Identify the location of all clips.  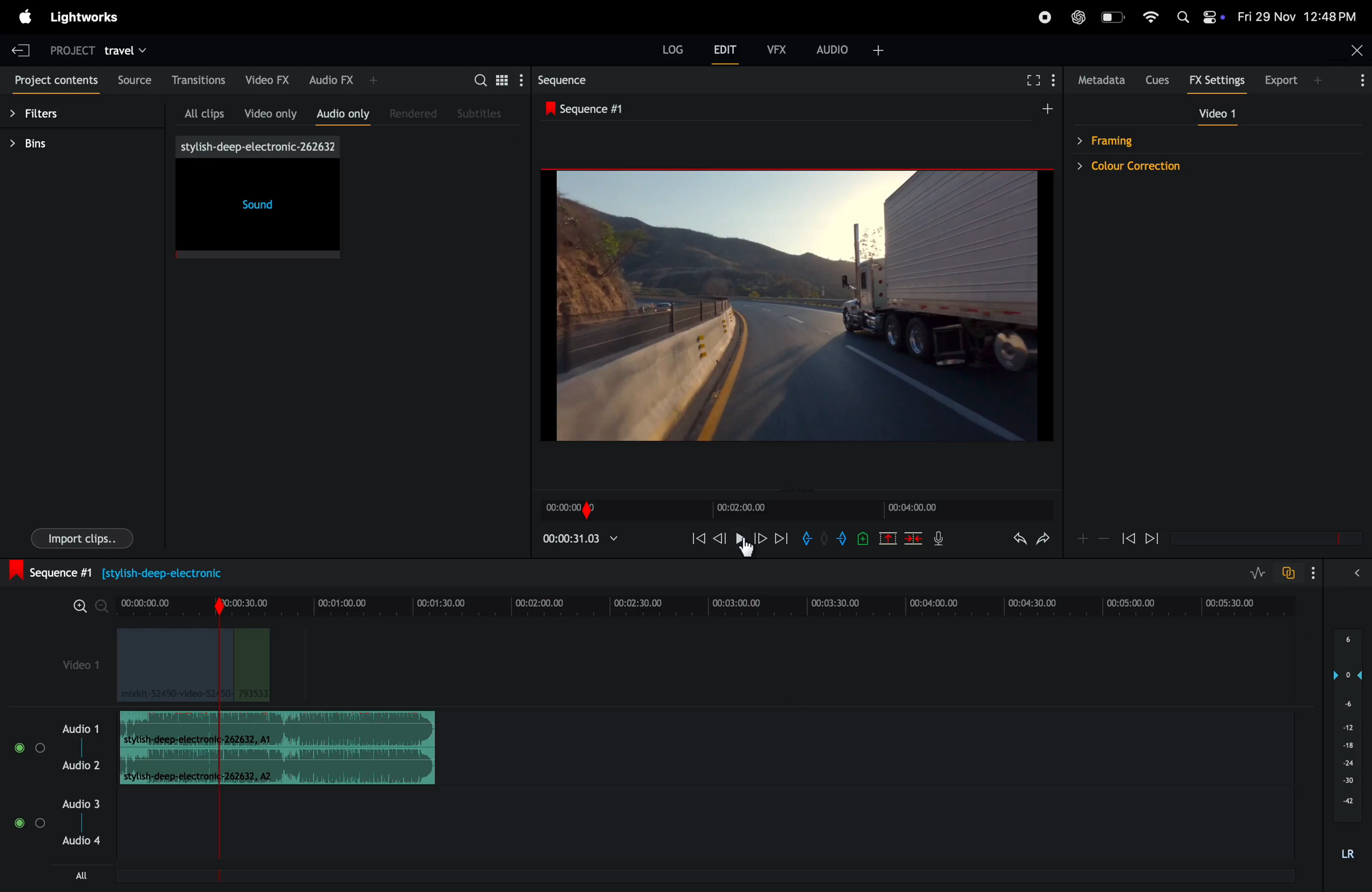
(205, 111).